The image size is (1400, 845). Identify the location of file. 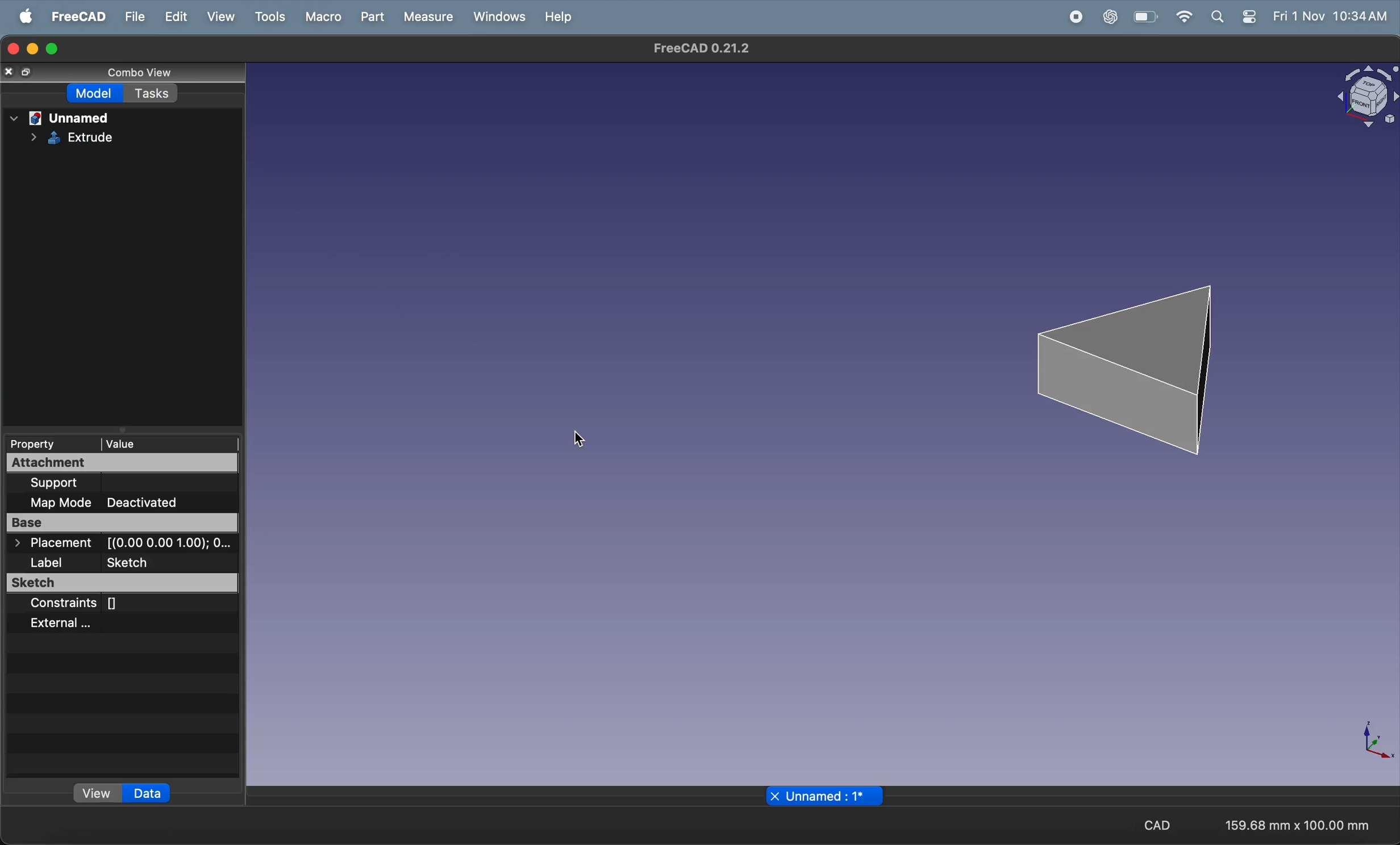
(134, 16).